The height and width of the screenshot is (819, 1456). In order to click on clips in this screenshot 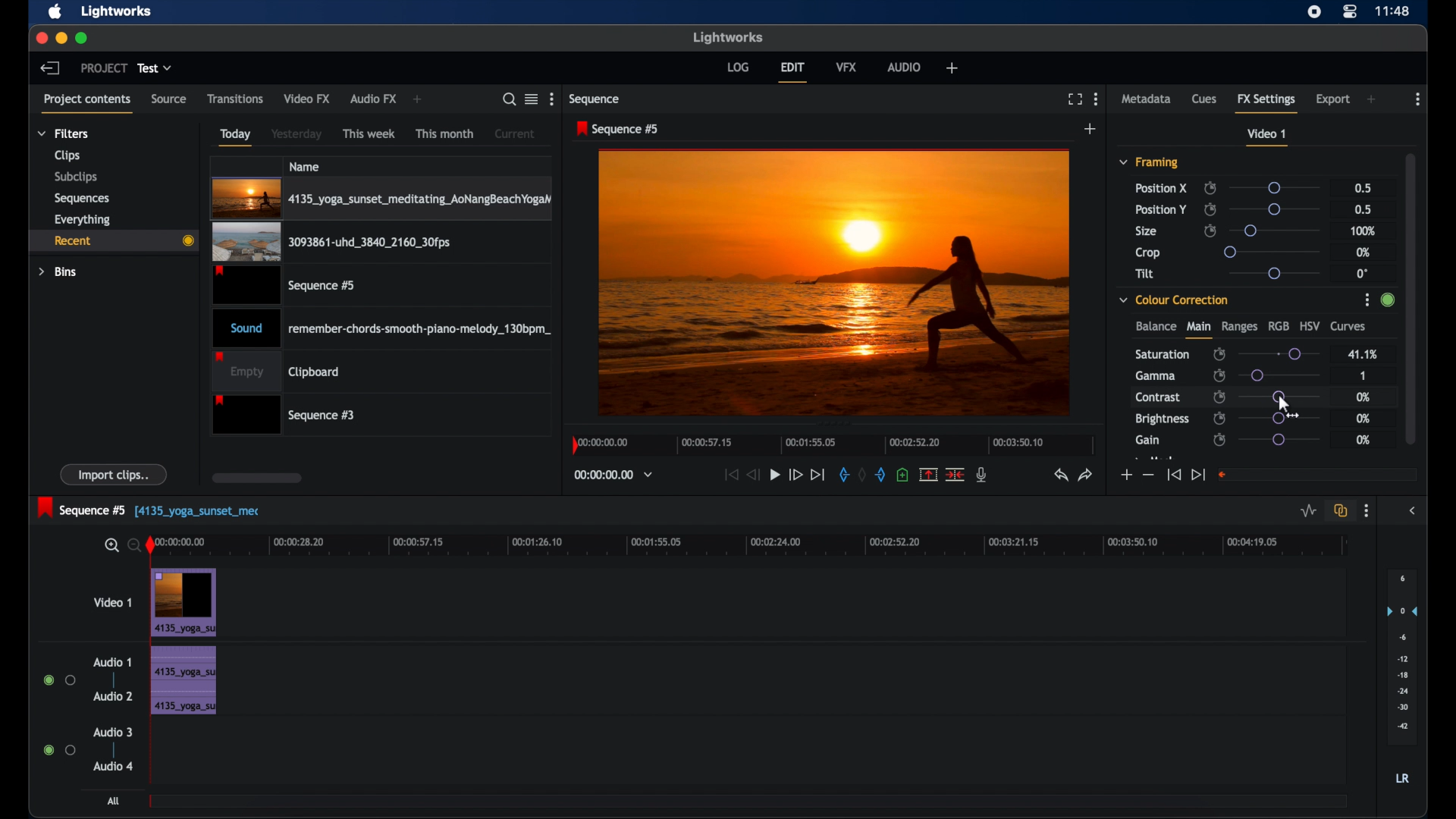, I will do `click(65, 155)`.